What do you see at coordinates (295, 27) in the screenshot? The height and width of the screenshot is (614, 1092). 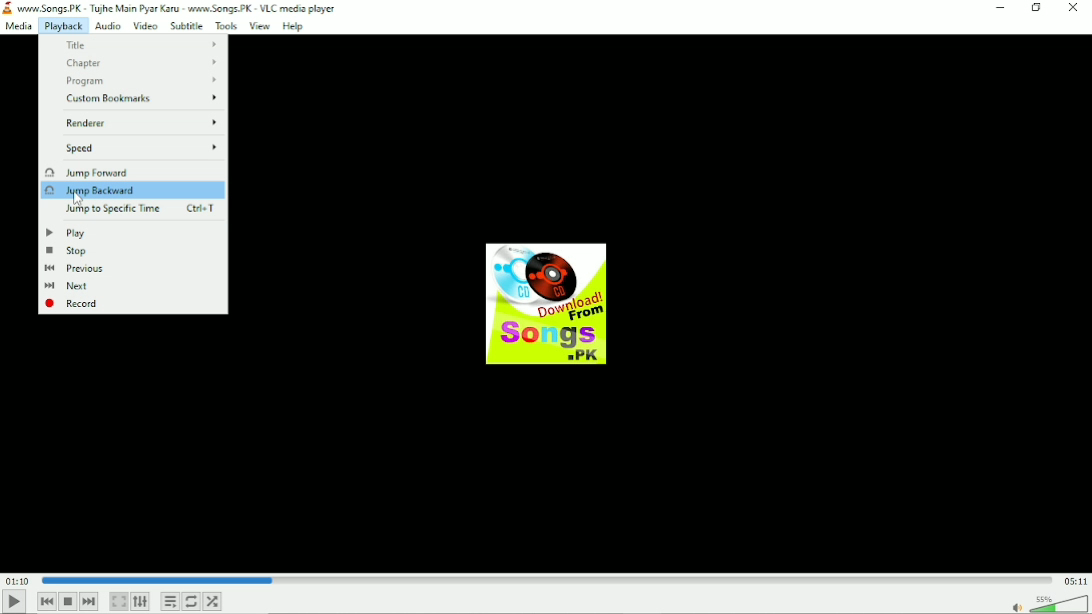 I see `Help` at bounding box center [295, 27].